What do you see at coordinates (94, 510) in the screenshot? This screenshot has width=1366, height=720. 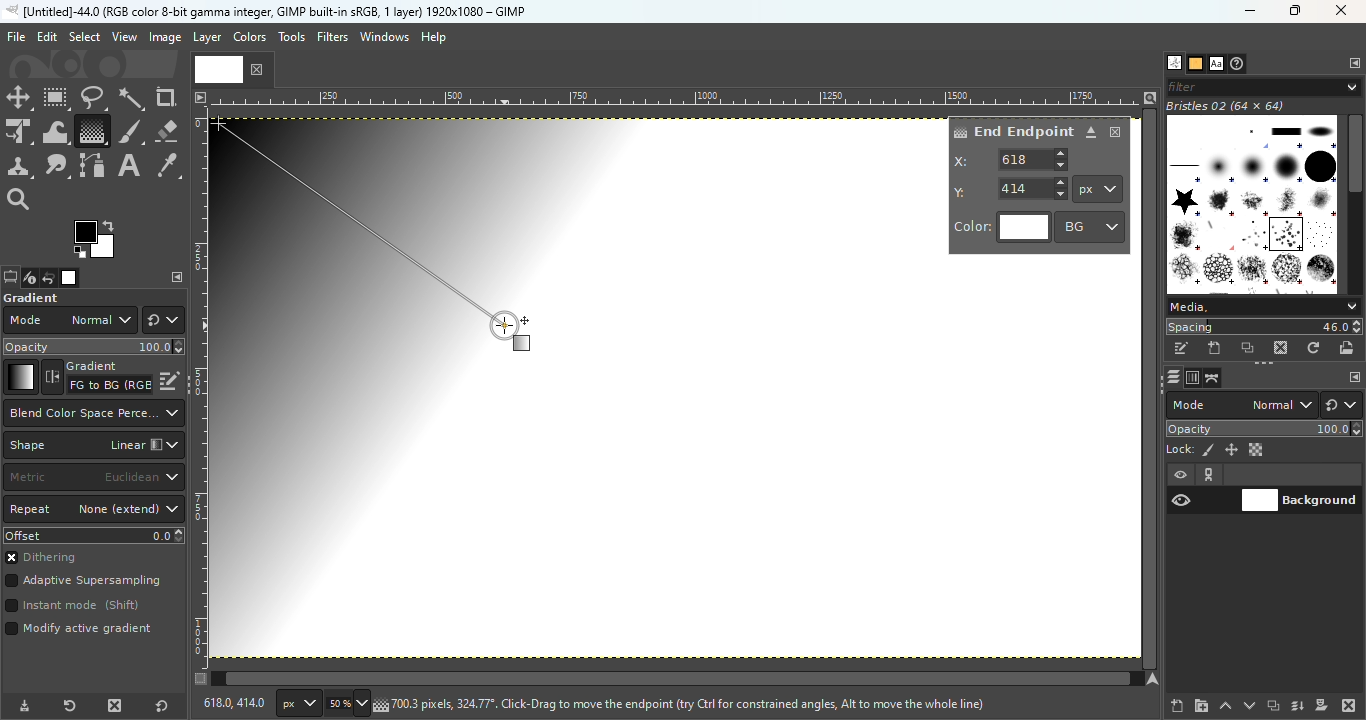 I see `Repeat` at bounding box center [94, 510].